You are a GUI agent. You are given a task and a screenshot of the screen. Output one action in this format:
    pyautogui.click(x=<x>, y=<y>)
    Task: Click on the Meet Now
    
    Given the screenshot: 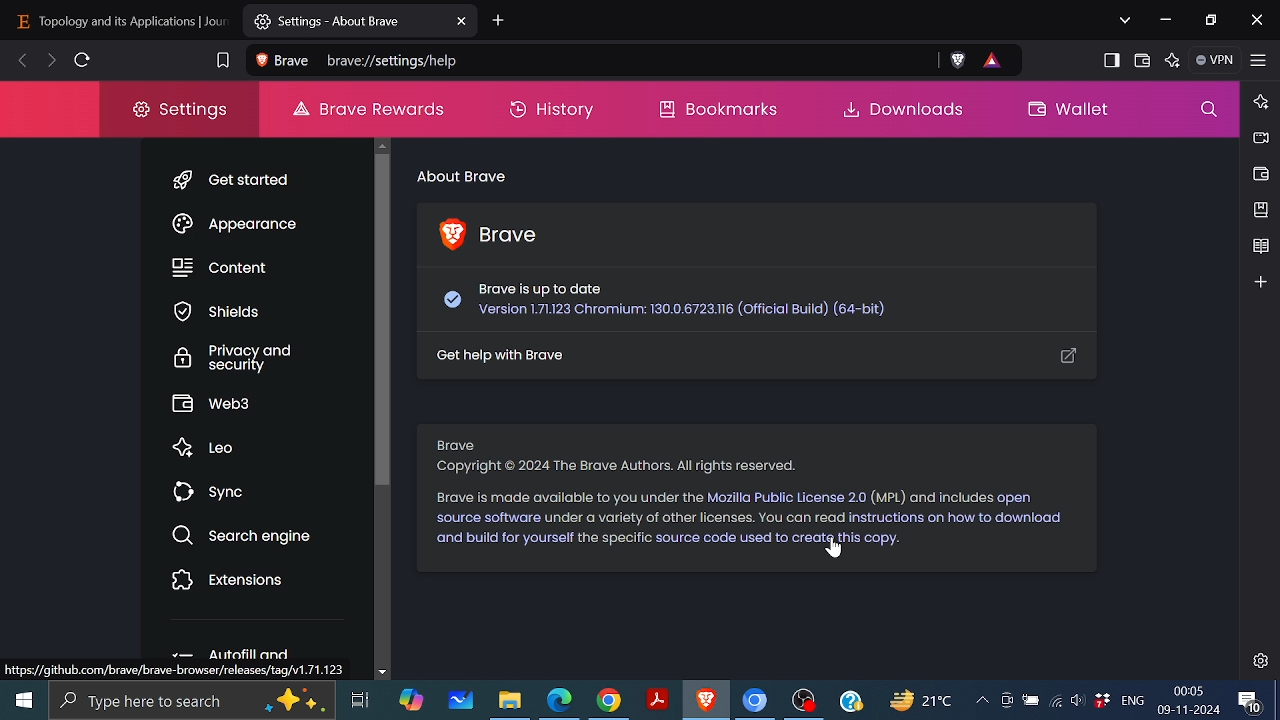 What is the action you would take?
    pyautogui.click(x=1006, y=699)
    